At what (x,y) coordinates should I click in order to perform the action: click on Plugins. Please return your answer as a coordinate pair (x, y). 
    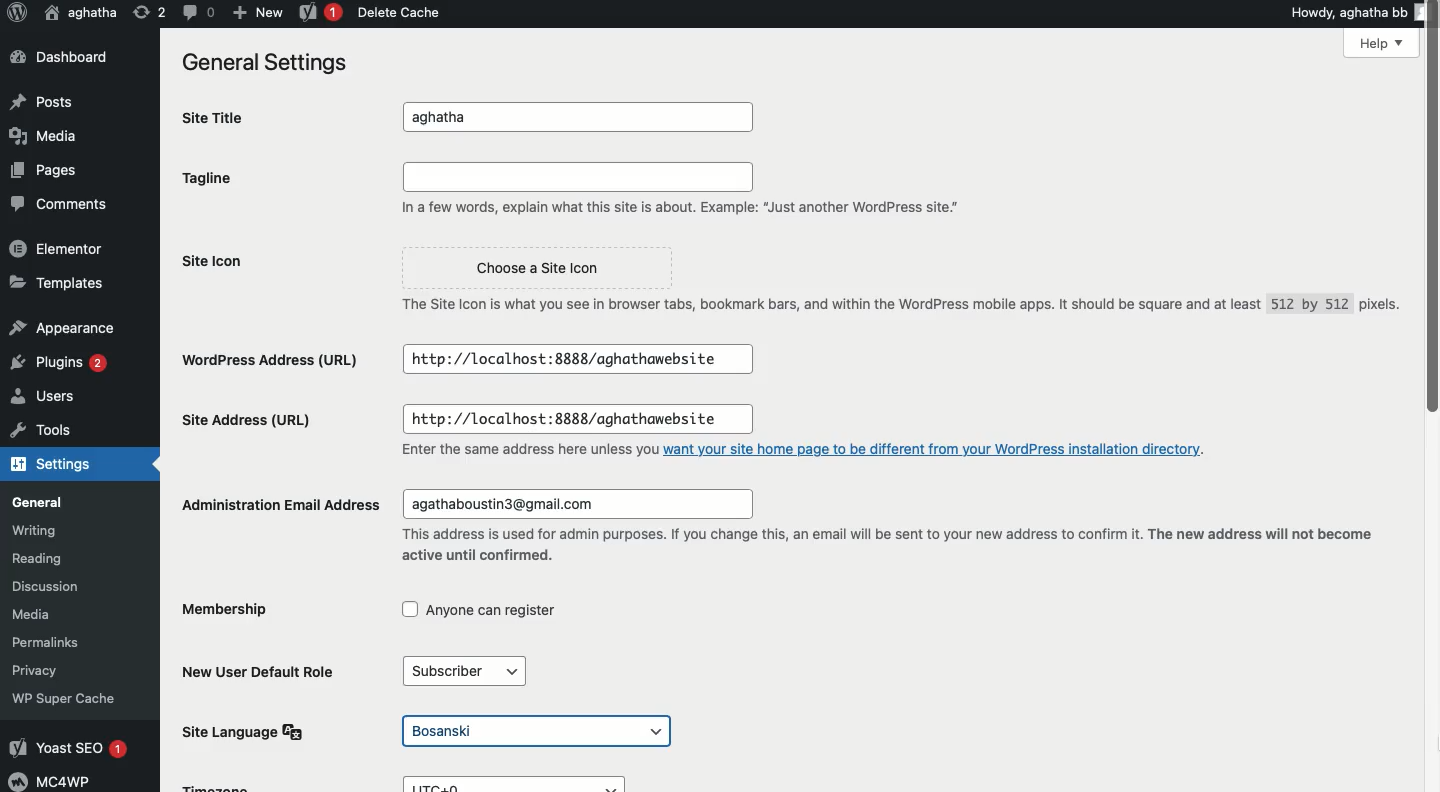
    Looking at the image, I should click on (63, 363).